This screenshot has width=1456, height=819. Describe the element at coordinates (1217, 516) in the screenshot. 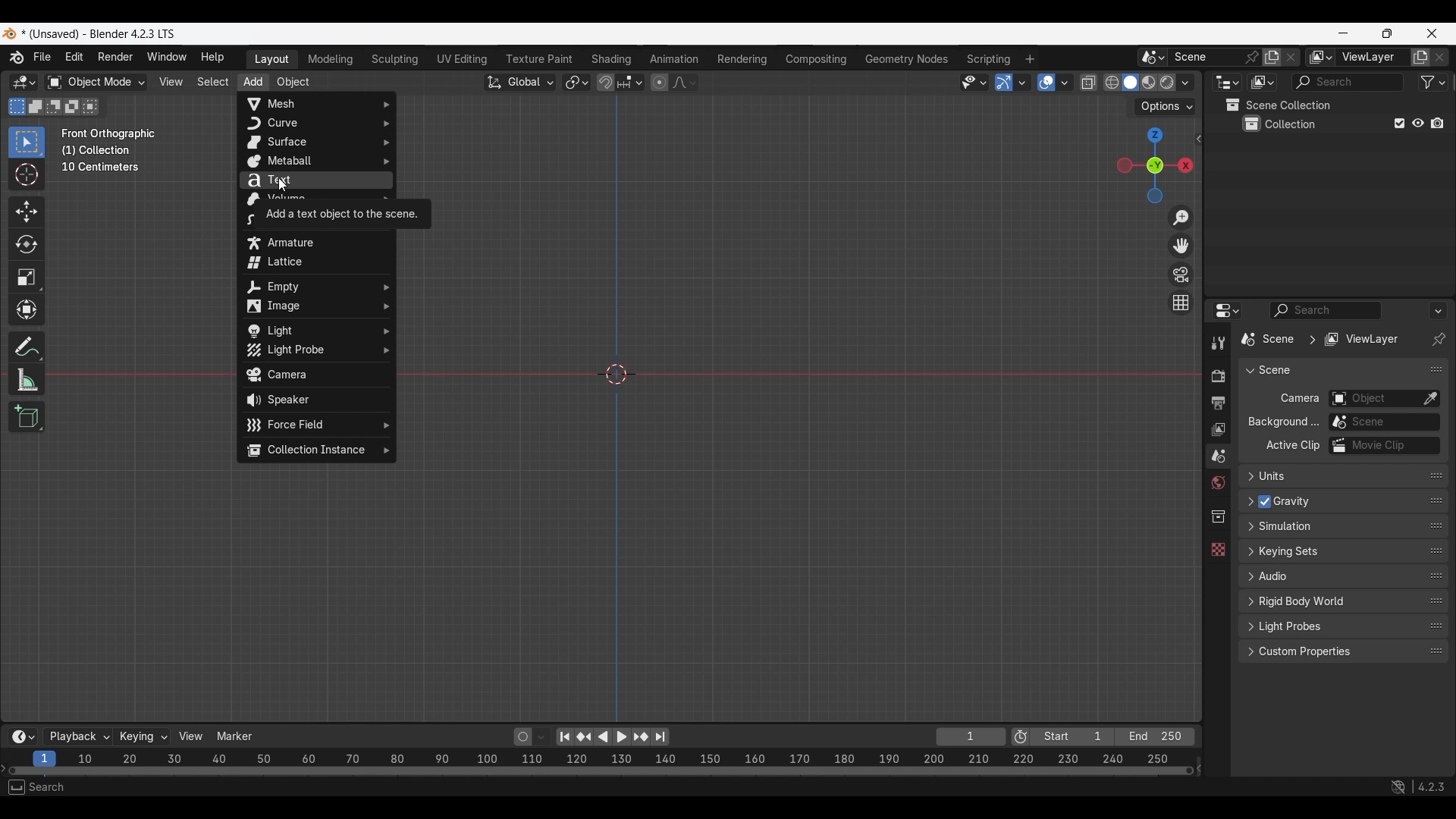

I see `Collection` at that location.